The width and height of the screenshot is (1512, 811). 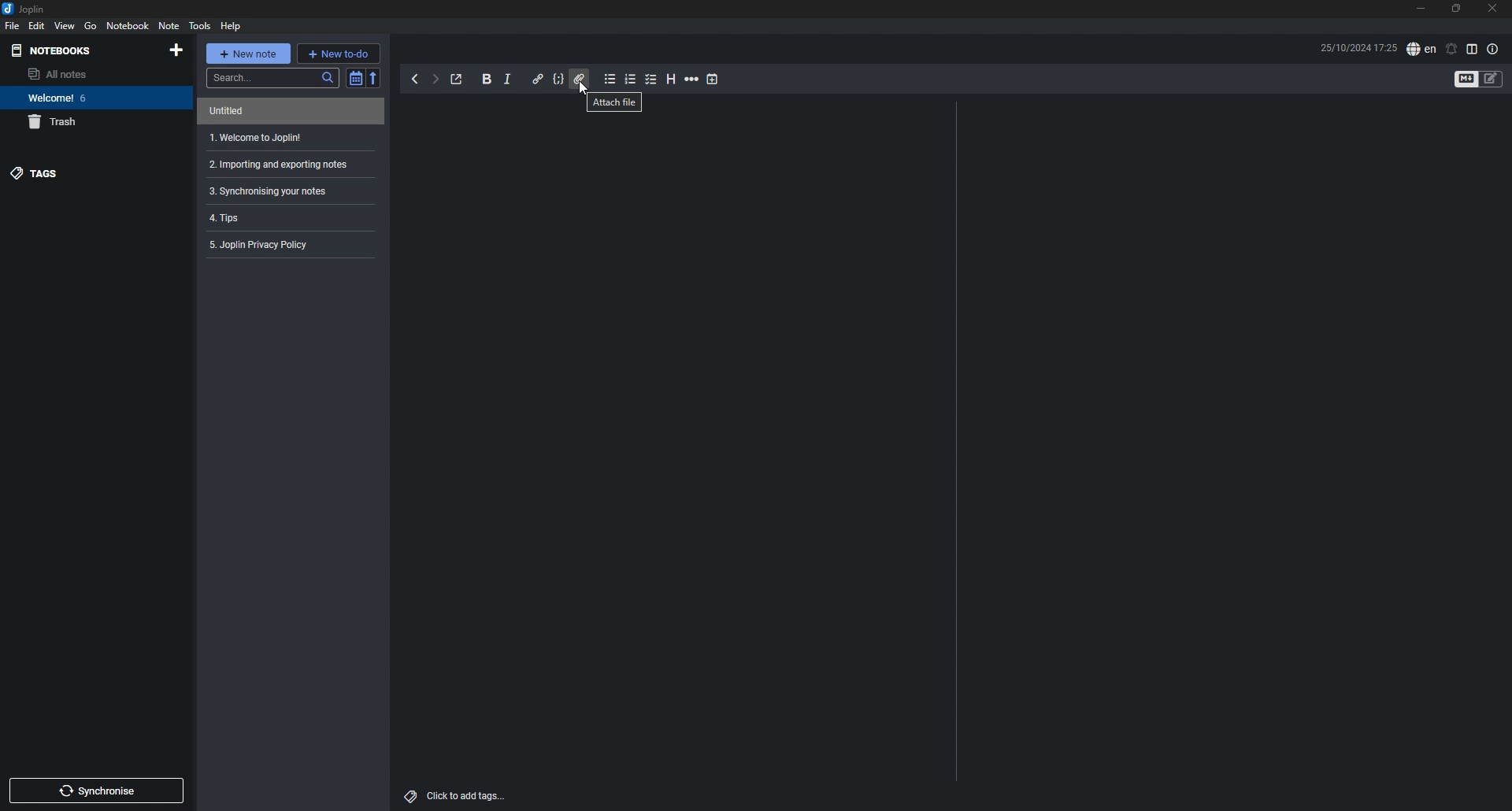 What do you see at coordinates (87, 123) in the screenshot?
I see `trash` at bounding box center [87, 123].